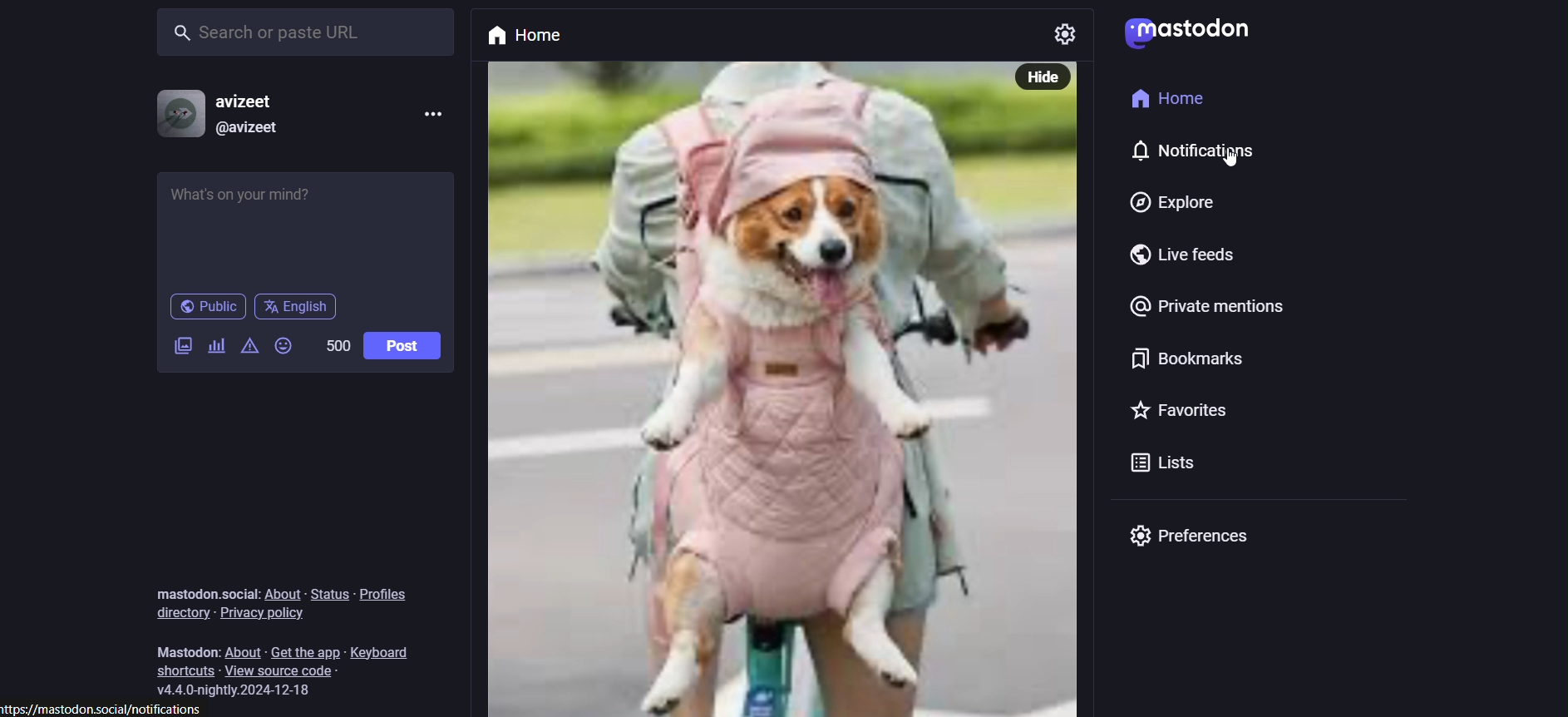 This screenshot has height=717, width=1568. What do you see at coordinates (1202, 314) in the screenshot?
I see `private mentions` at bounding box center [1202, 314].